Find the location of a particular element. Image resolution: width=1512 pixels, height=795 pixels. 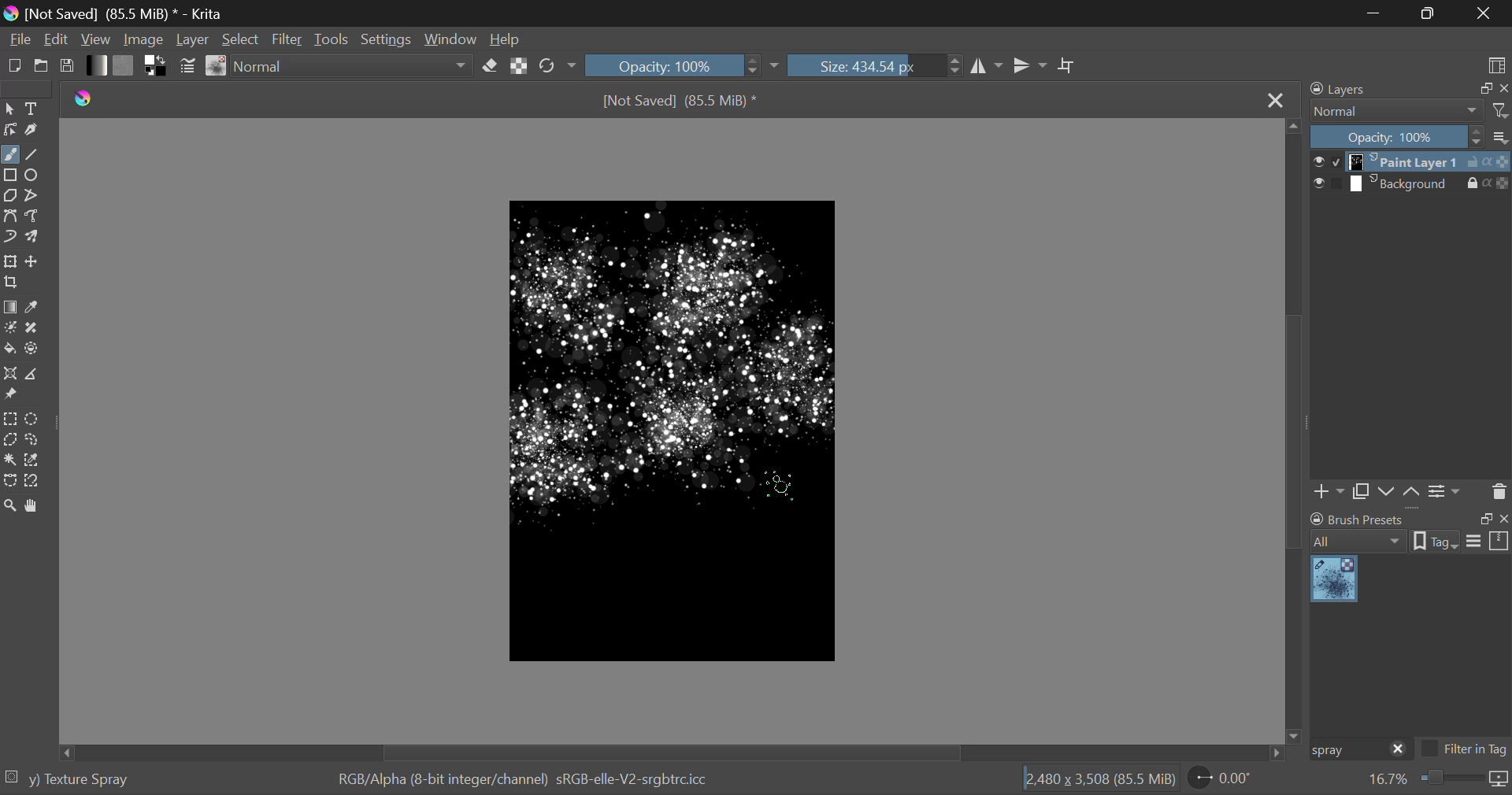

Text is located at coordinates (35, 107).